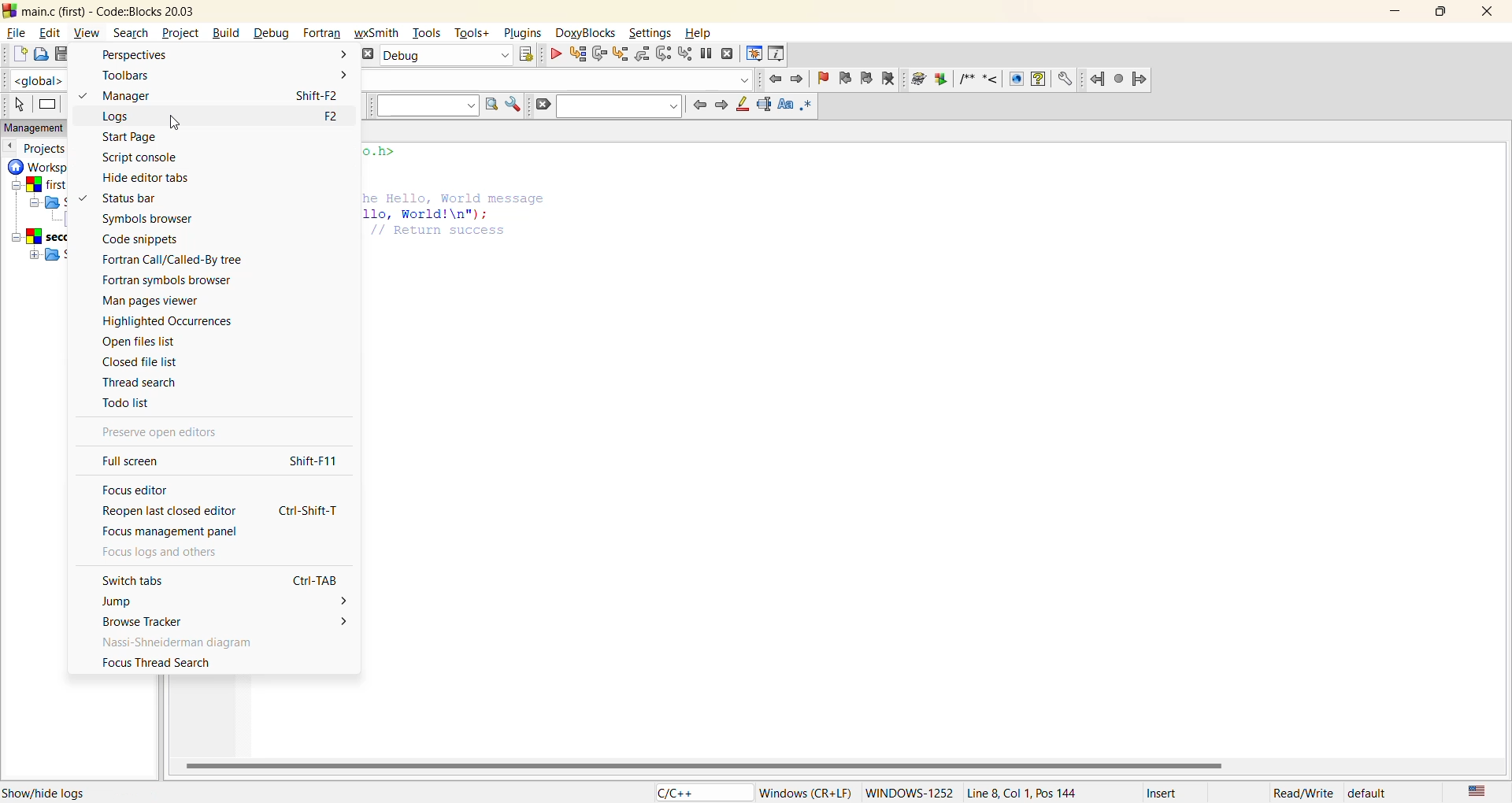 The image size is (1512, 803). I want to click on highlight, so click(743, 105).